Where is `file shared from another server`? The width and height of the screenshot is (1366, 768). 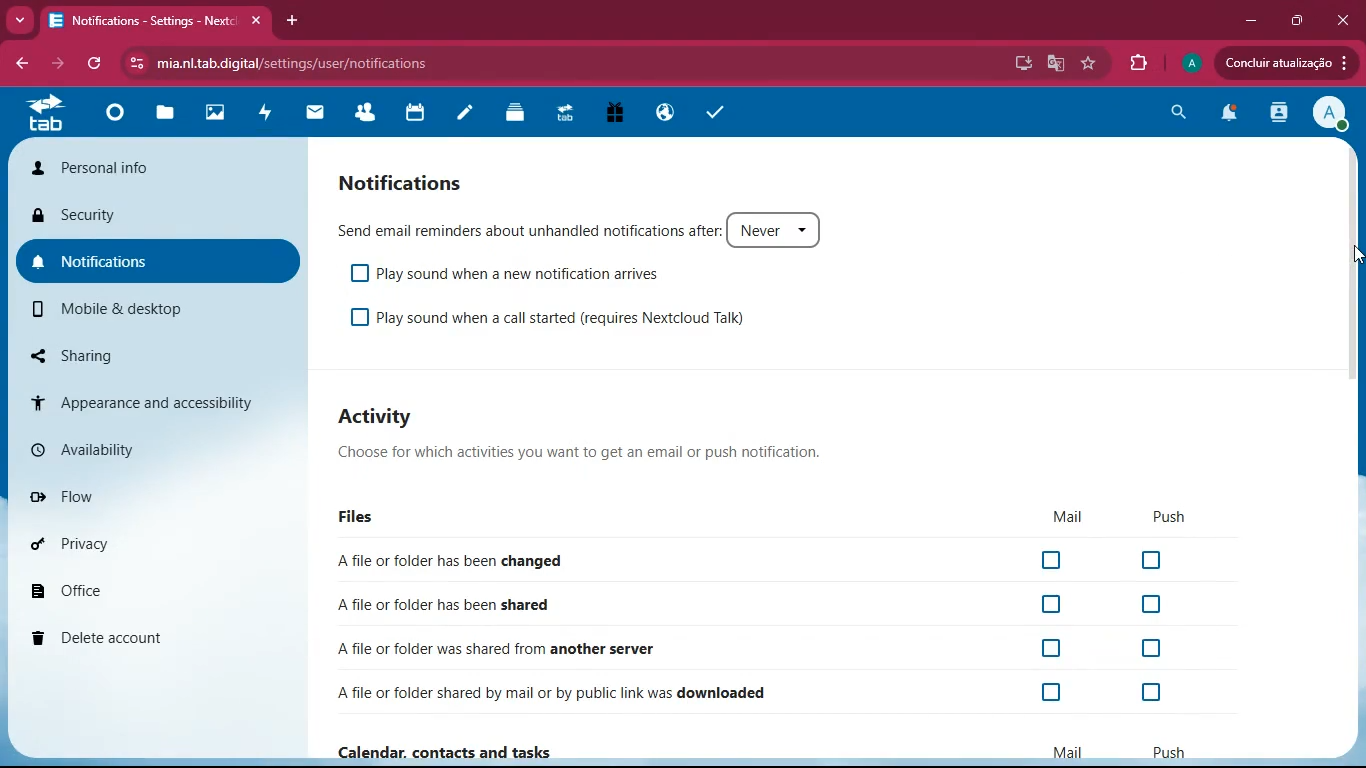
file shared from another server is located at coordinates (539, 649).